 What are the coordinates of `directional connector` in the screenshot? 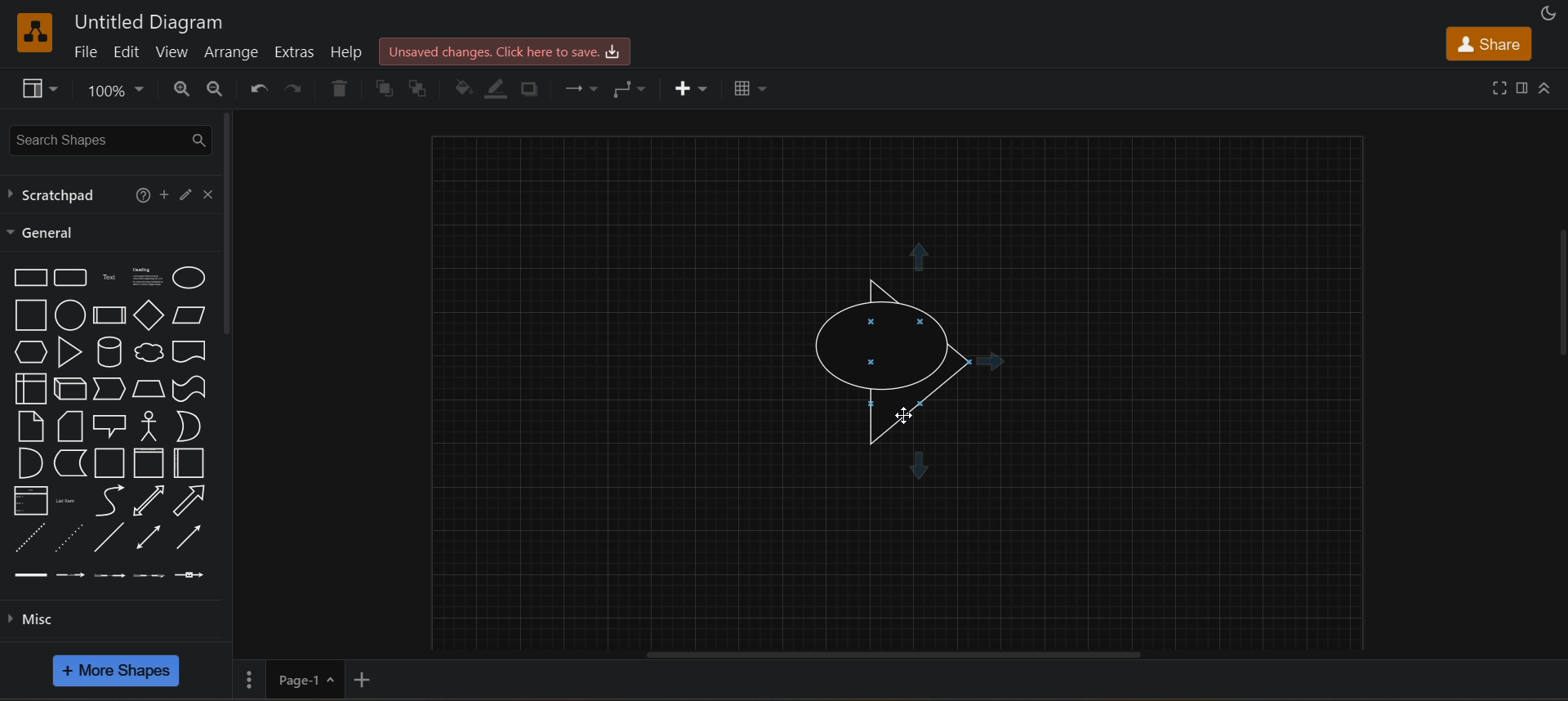 It's located at (189, 537).